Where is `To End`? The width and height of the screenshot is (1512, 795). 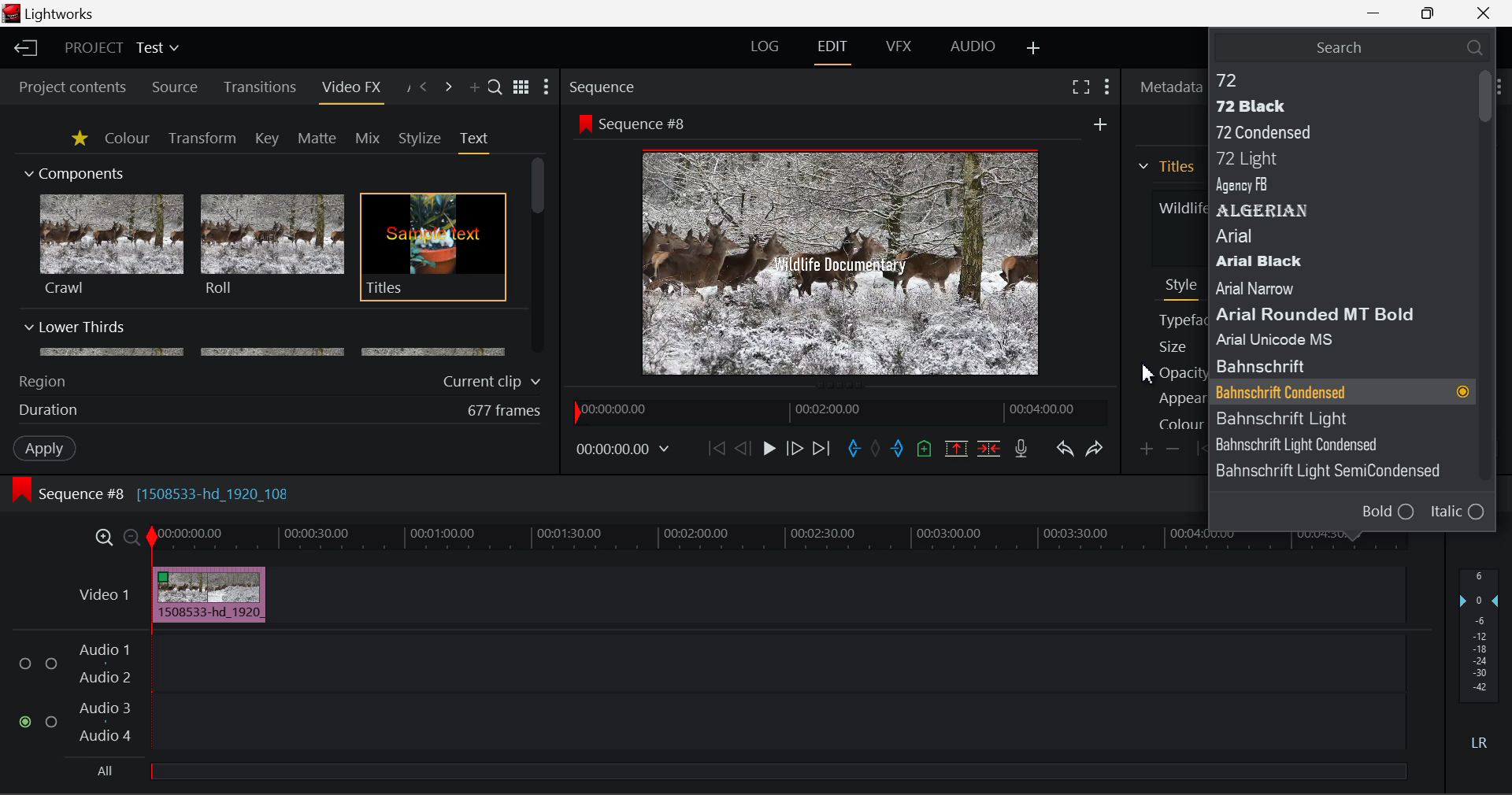 To End is located at coordinates (822, 451).